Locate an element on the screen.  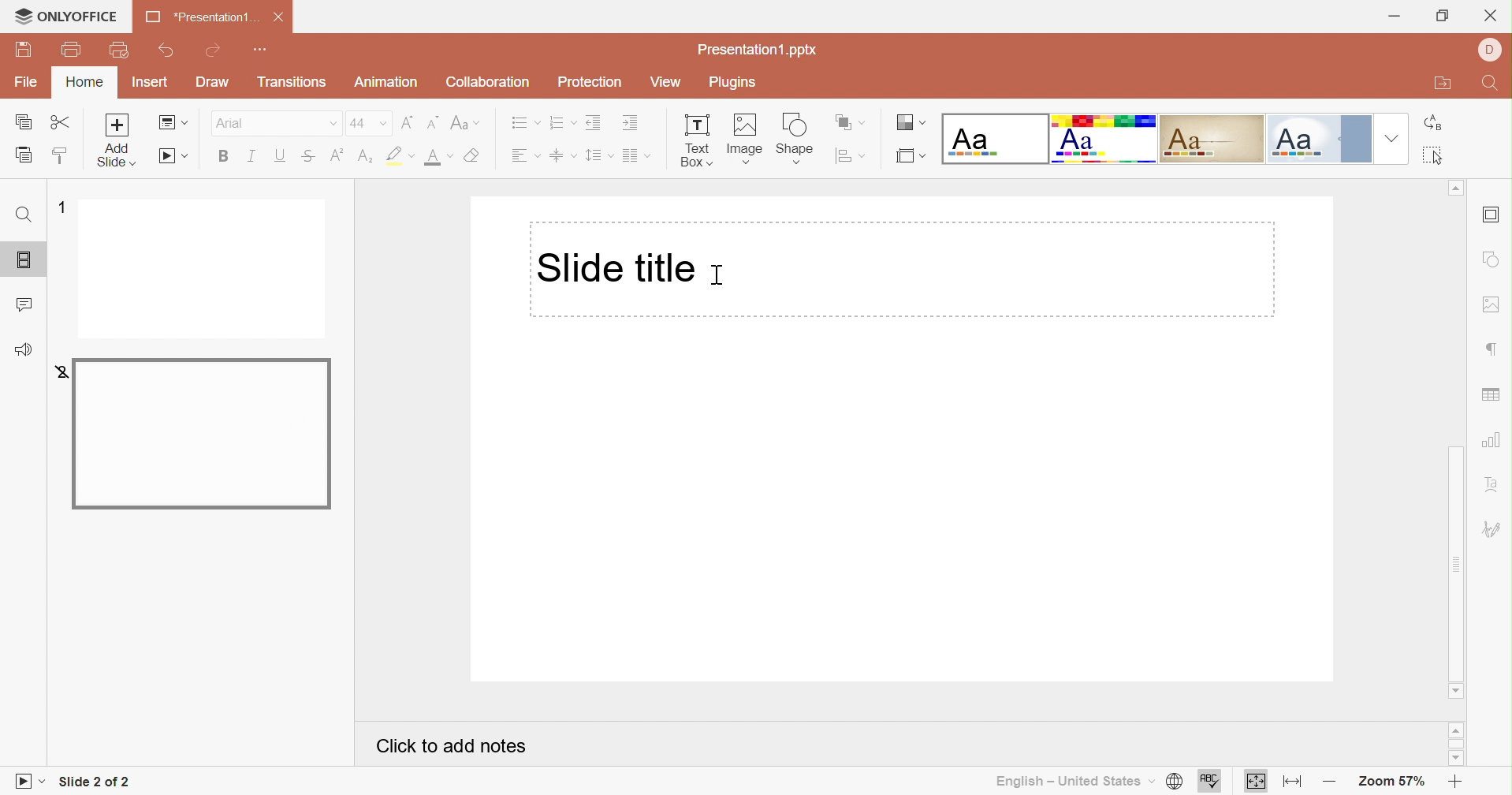
Copy style is located at coordinates (62, 159).